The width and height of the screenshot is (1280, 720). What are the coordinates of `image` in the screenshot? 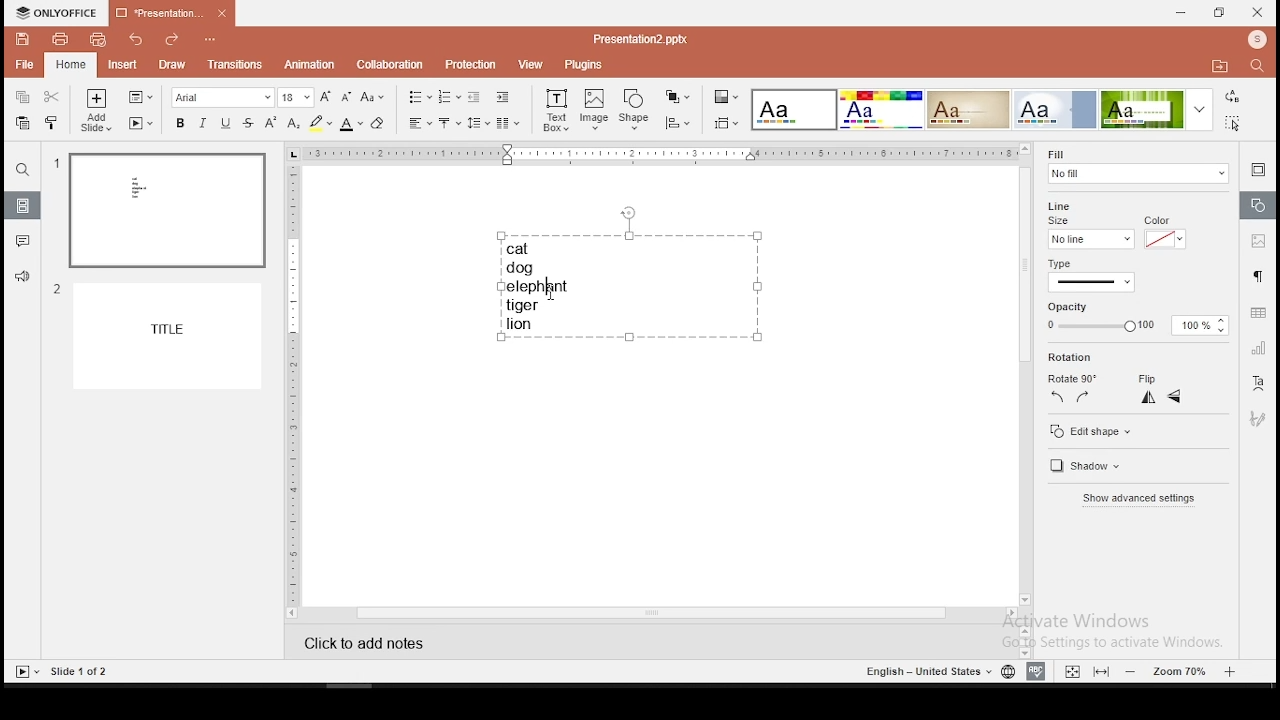 It's located at (594, 110).